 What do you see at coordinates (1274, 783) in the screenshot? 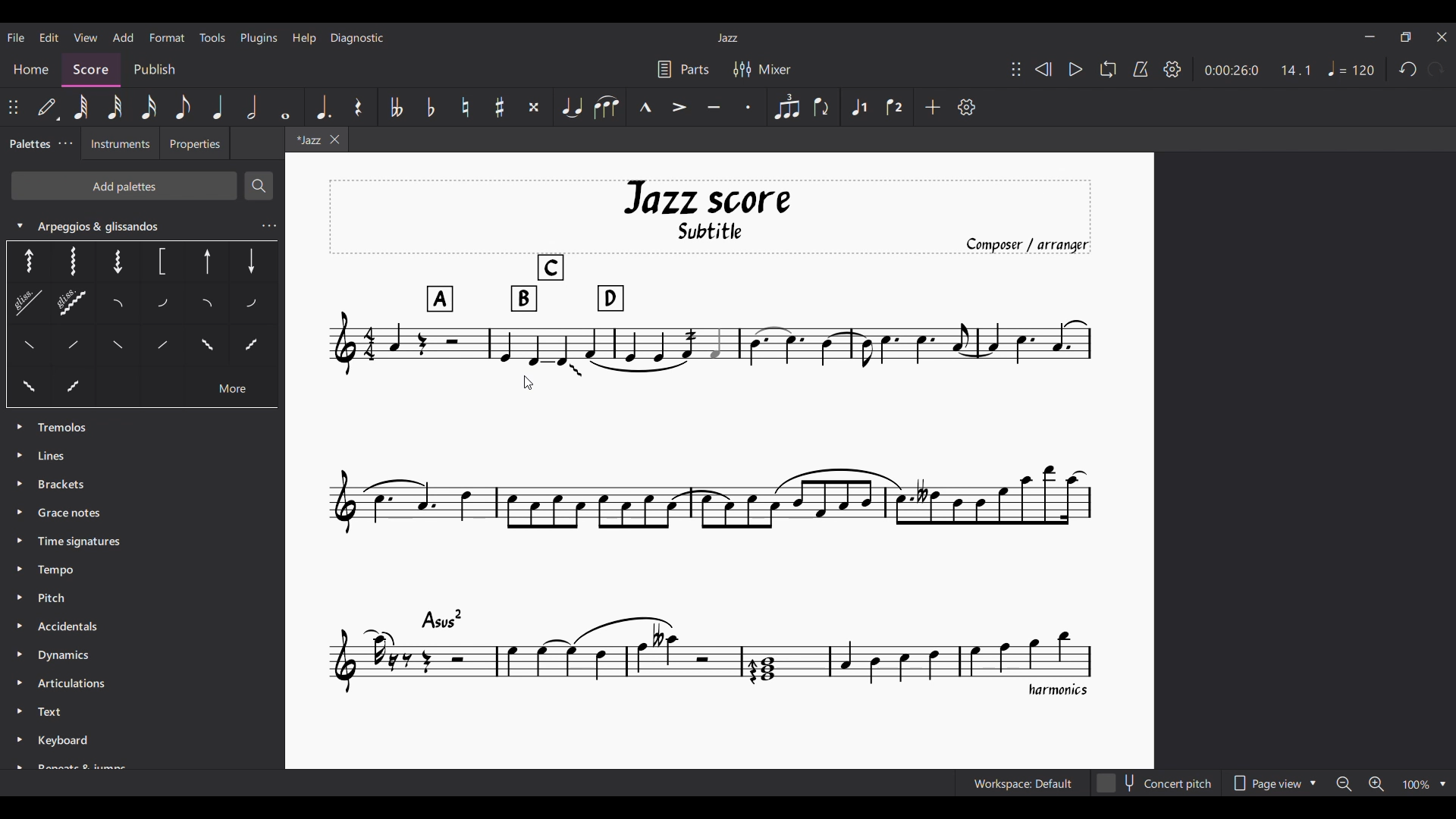
I see `Page view options` at bounding box center [1274, 783].